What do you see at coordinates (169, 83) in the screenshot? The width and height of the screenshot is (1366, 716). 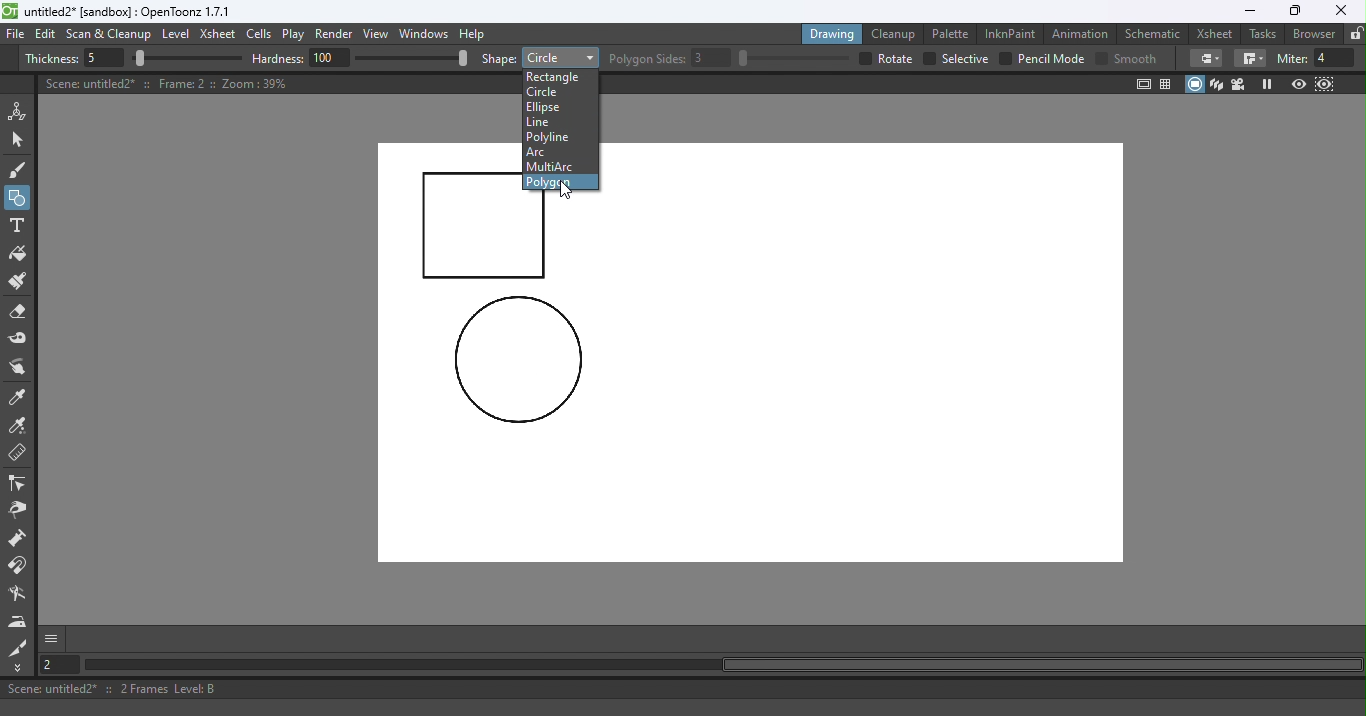 I see `Canvas details` at bounding box center [169, 83].